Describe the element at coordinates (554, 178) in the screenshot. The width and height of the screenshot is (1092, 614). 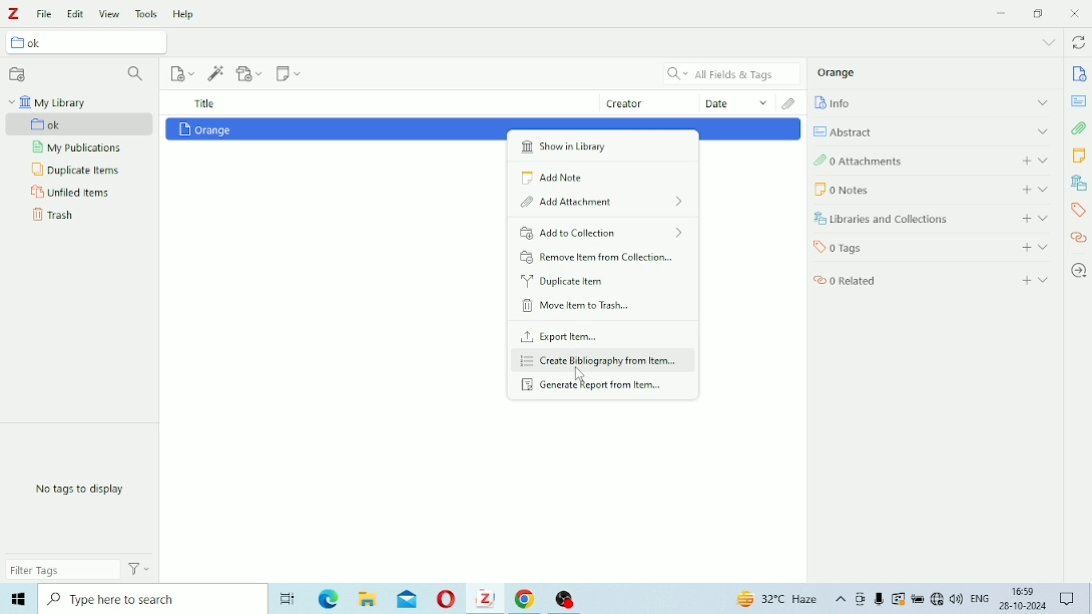
I see `Add Note` at that location.